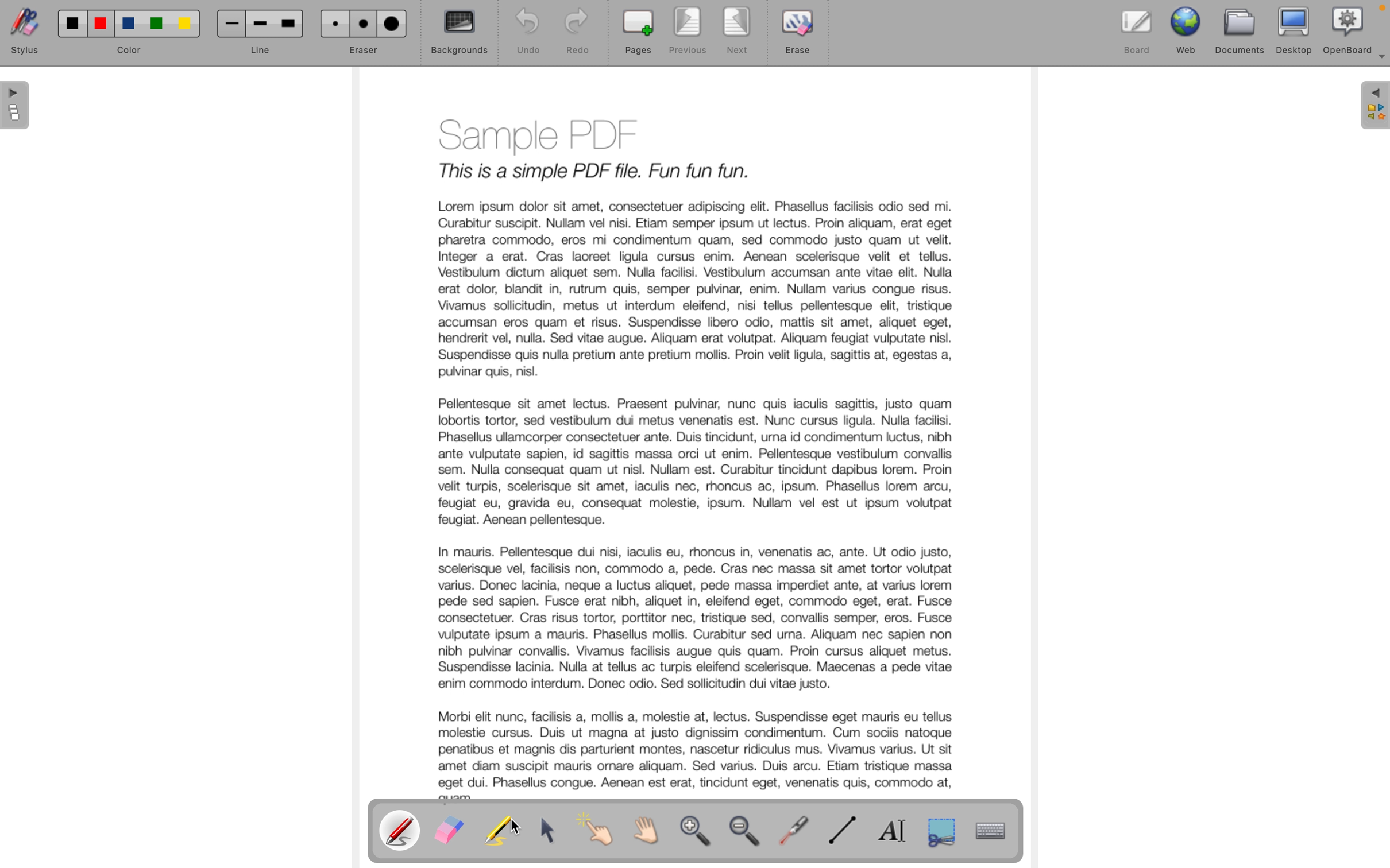 The width and height of the screenshot is (1390, 868). Describe the element at coordinates (1134, 29) in the screenshot. I see `board` at that location.